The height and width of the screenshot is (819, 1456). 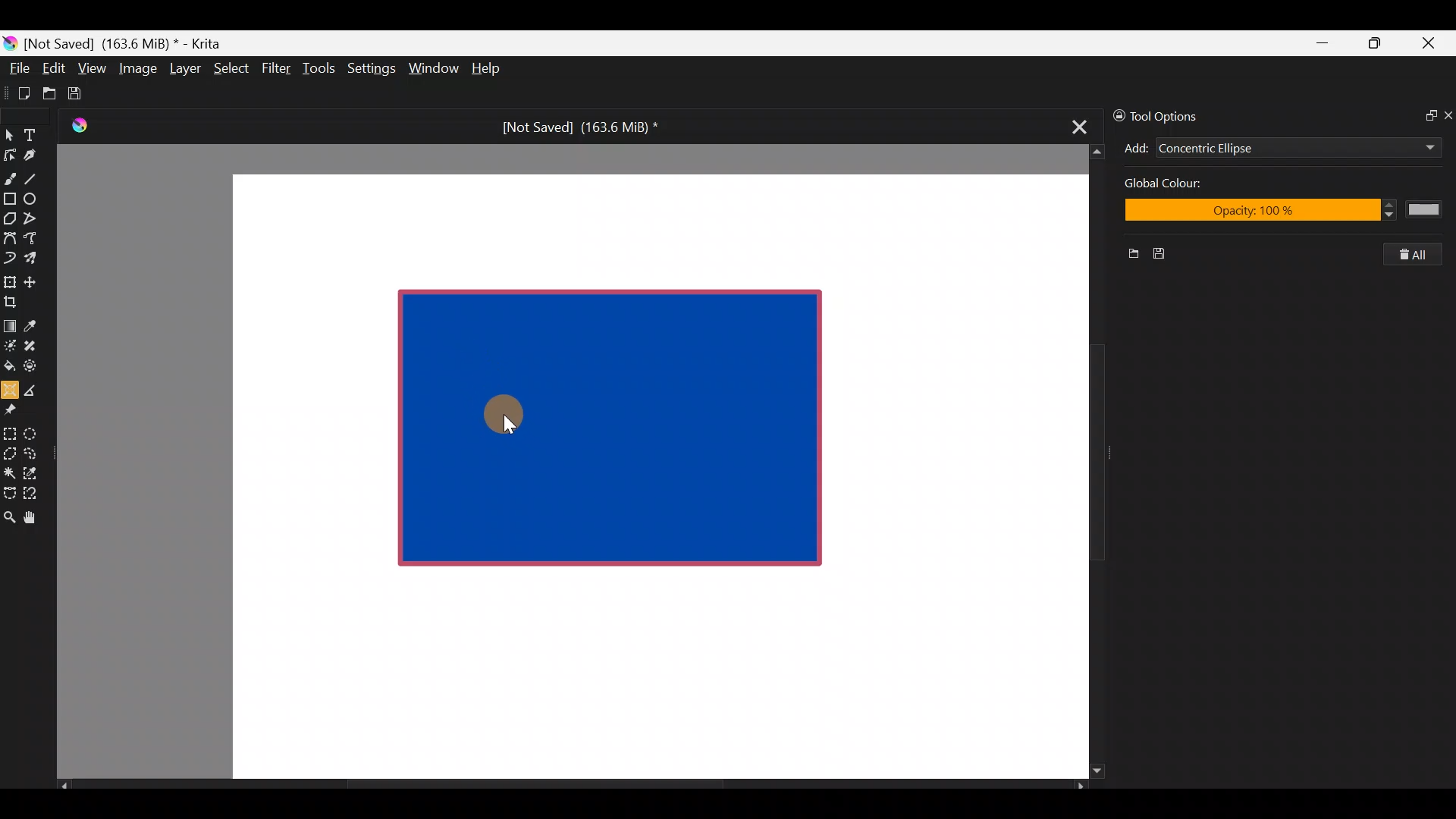 I want to click on Filter, so click(x=277, y=67).